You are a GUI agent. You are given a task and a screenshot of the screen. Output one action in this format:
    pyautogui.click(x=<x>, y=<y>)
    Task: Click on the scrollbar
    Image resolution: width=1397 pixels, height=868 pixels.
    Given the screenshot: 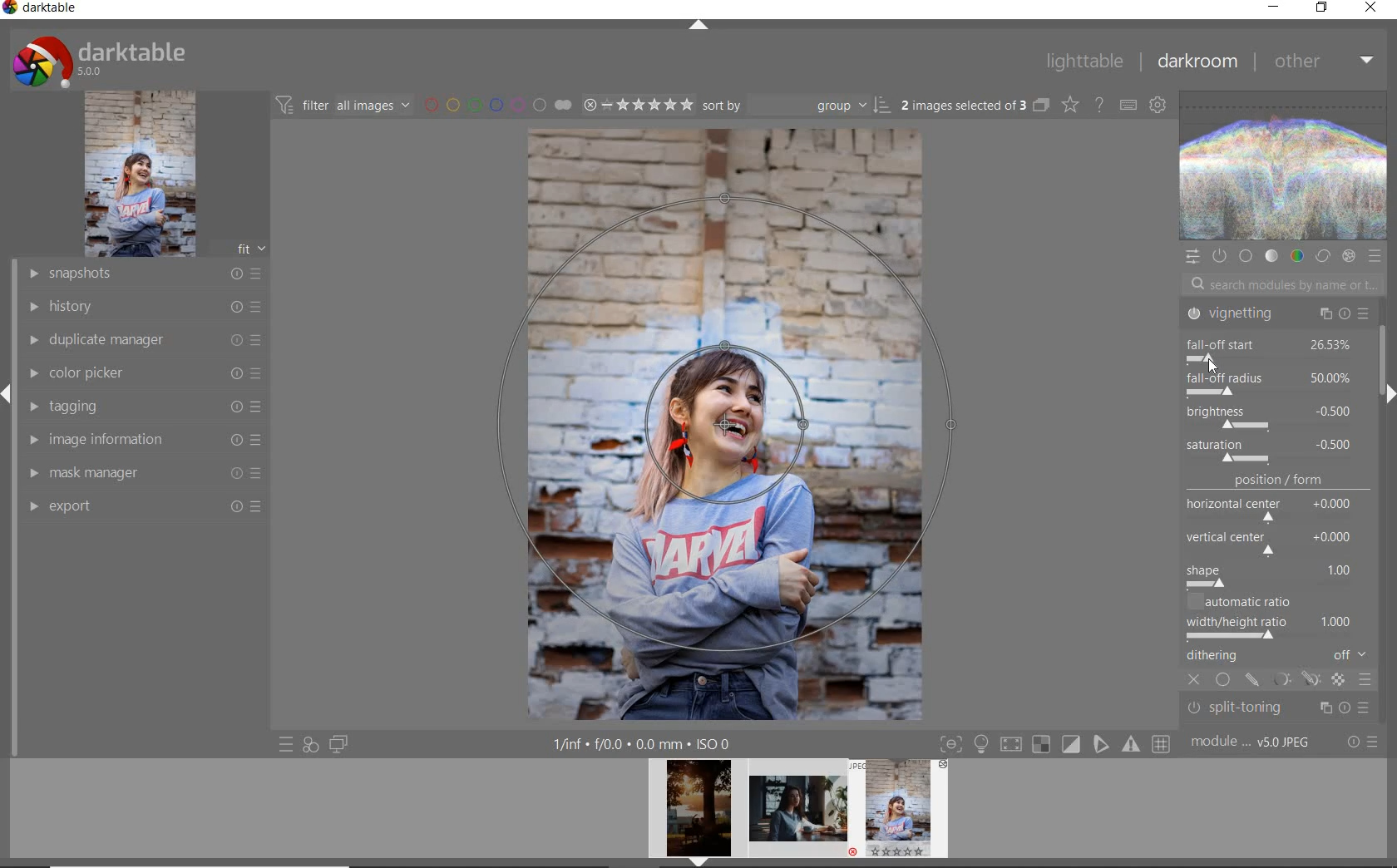 What is the action you would take?
    pyautogui.click(x=1388, y=353)
    